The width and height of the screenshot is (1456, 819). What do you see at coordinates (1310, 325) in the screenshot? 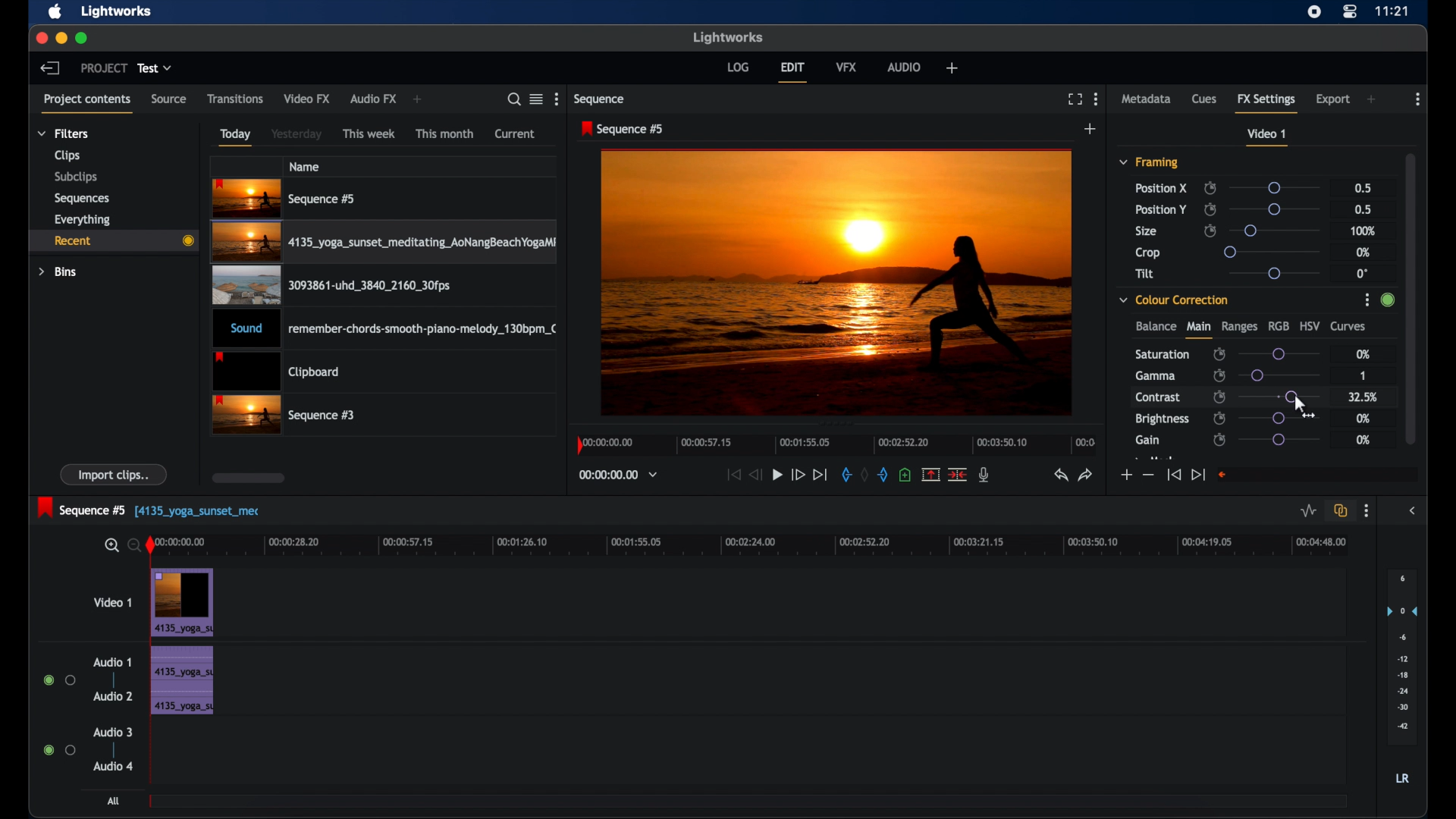
I see `hsv` at bounding box center [1310, 325].